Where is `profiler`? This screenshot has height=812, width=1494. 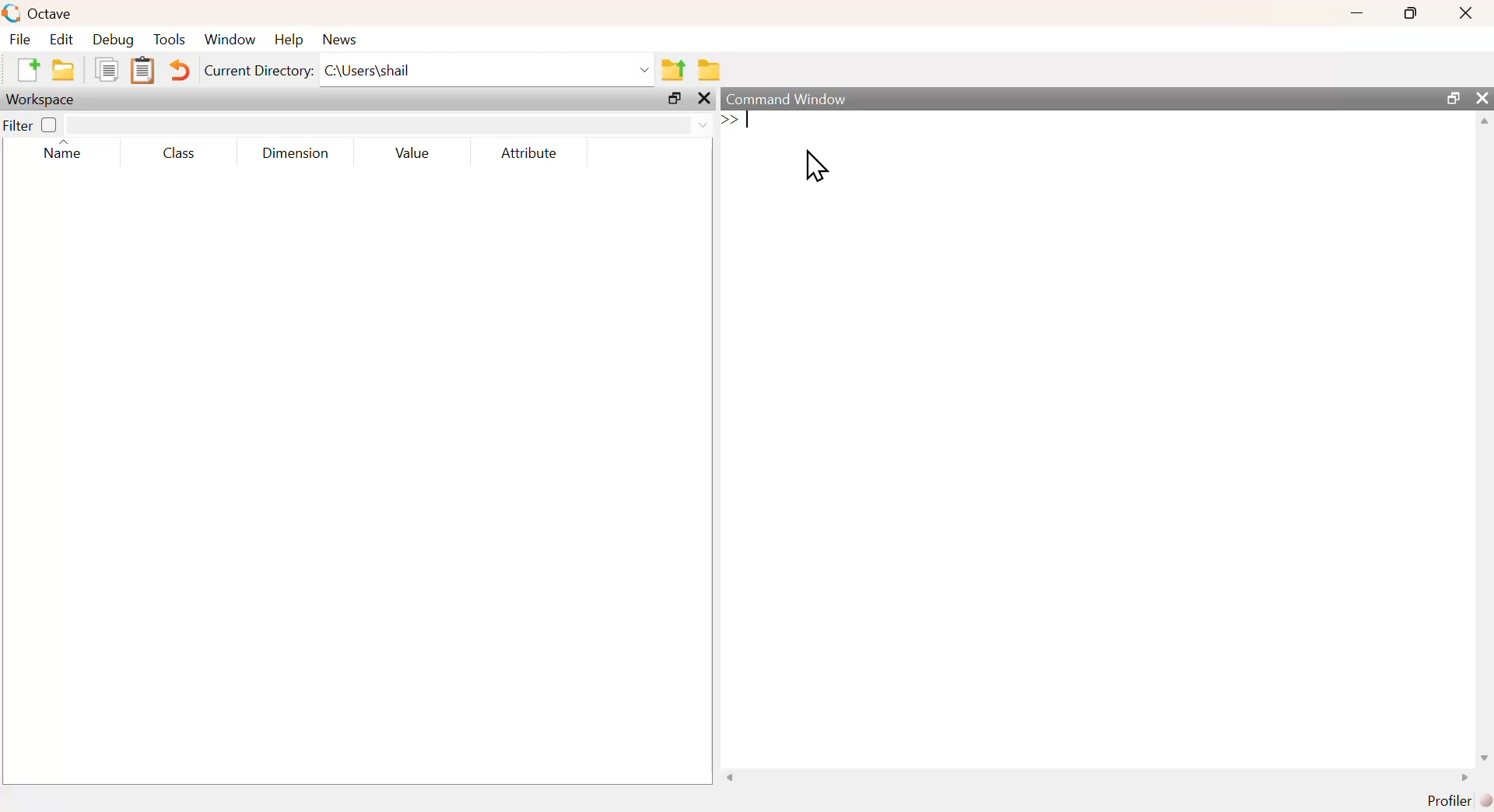
profiler is located at coordinates (1450, 800).